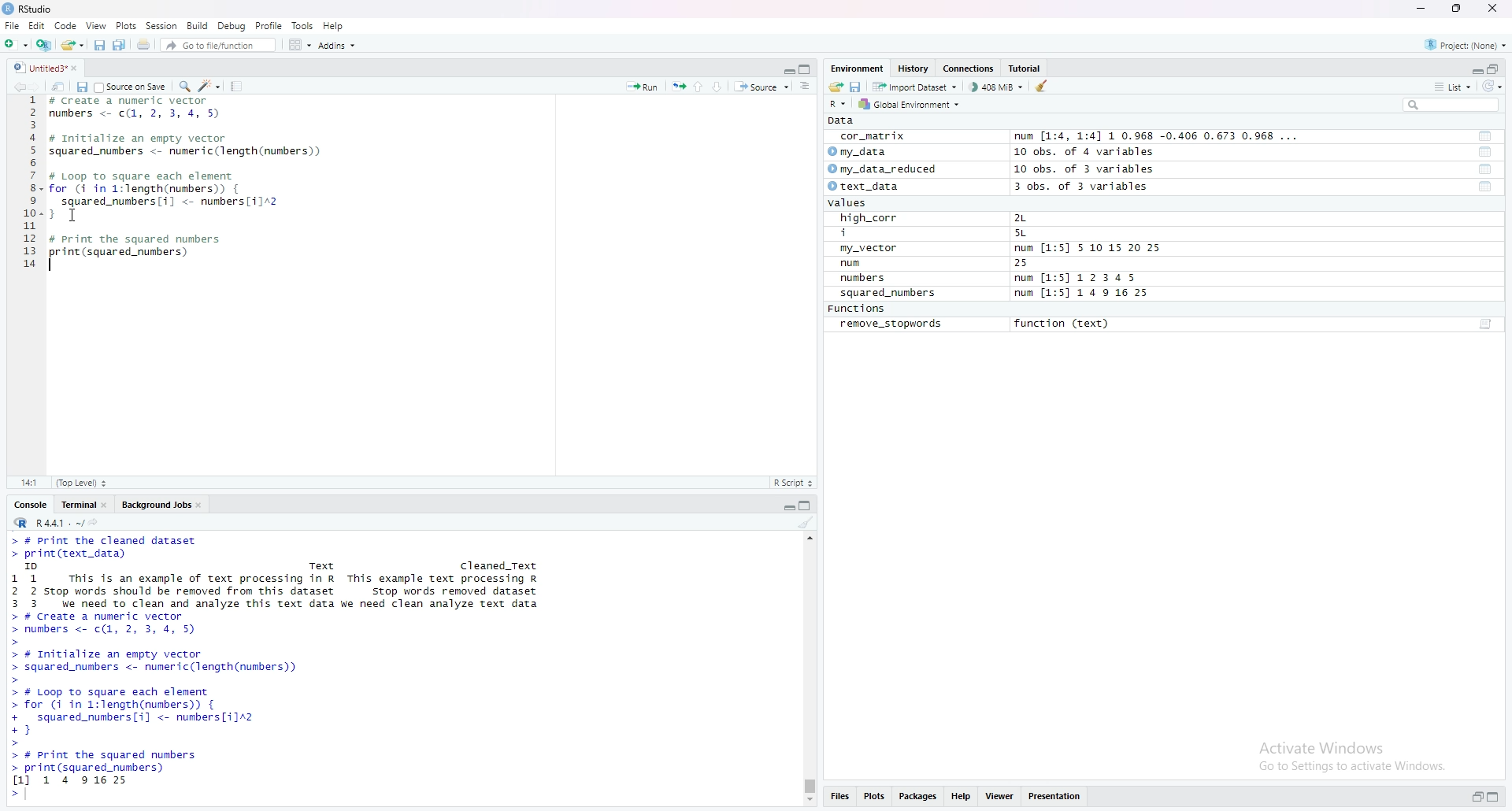  I want to click on close, so click(202, 503).